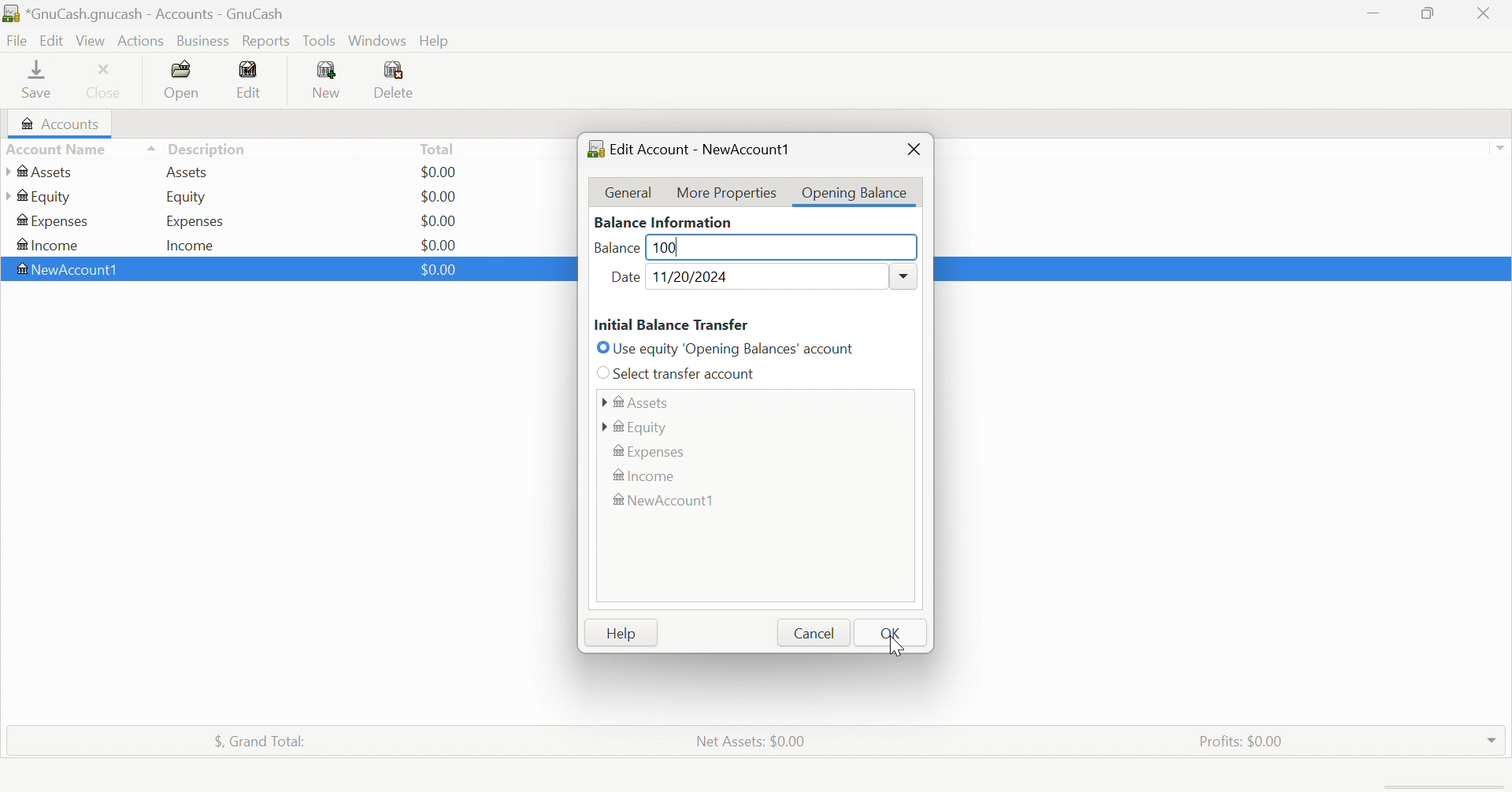  Describe the element at coordinates (695, 276) in the screenshot. I see `11/20/2024` at that location.